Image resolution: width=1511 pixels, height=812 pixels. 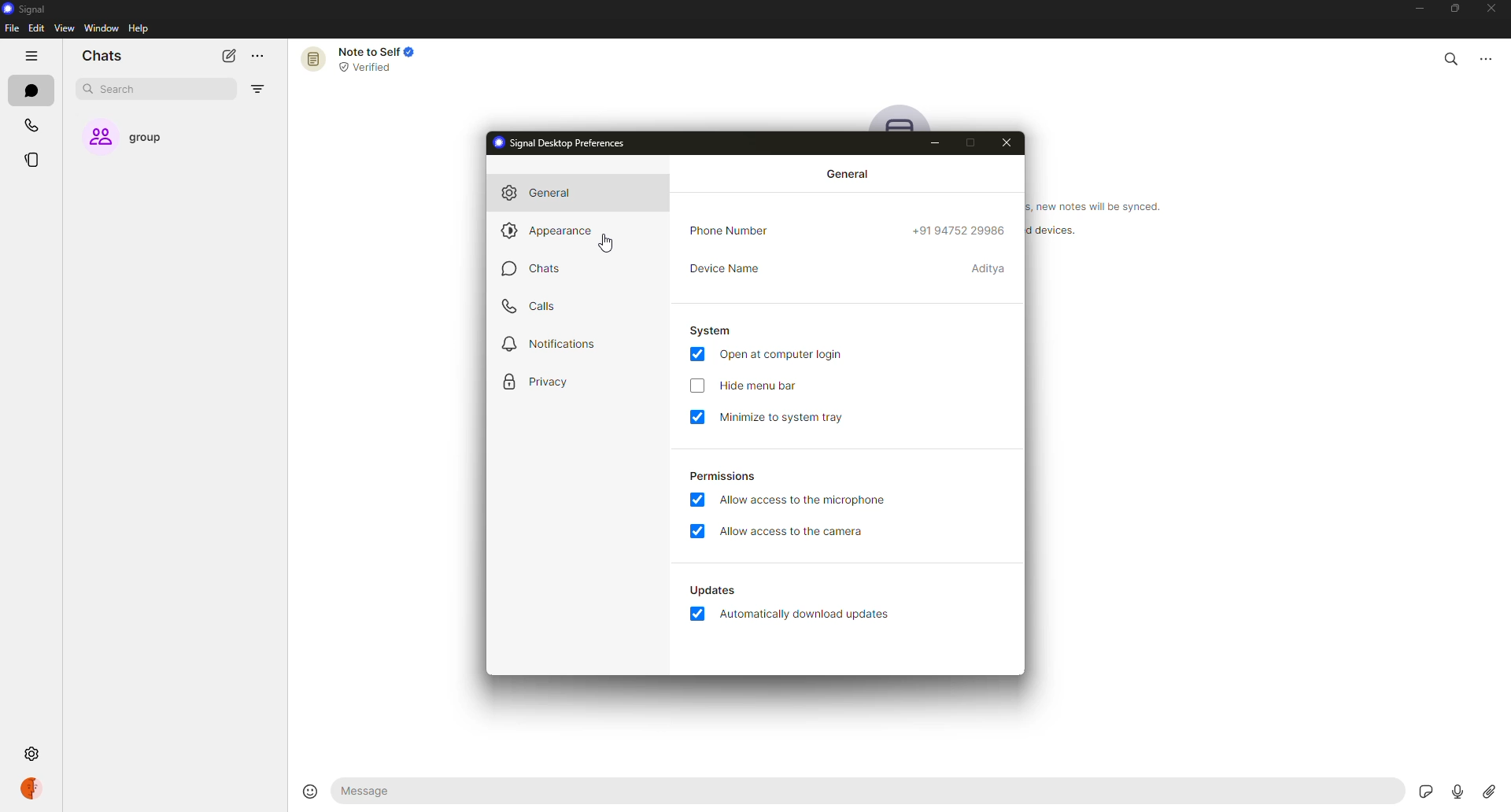 What do you see at coordinates (102, 57) in the screenshot?
I see `chats` at bounding box center [102, 57].